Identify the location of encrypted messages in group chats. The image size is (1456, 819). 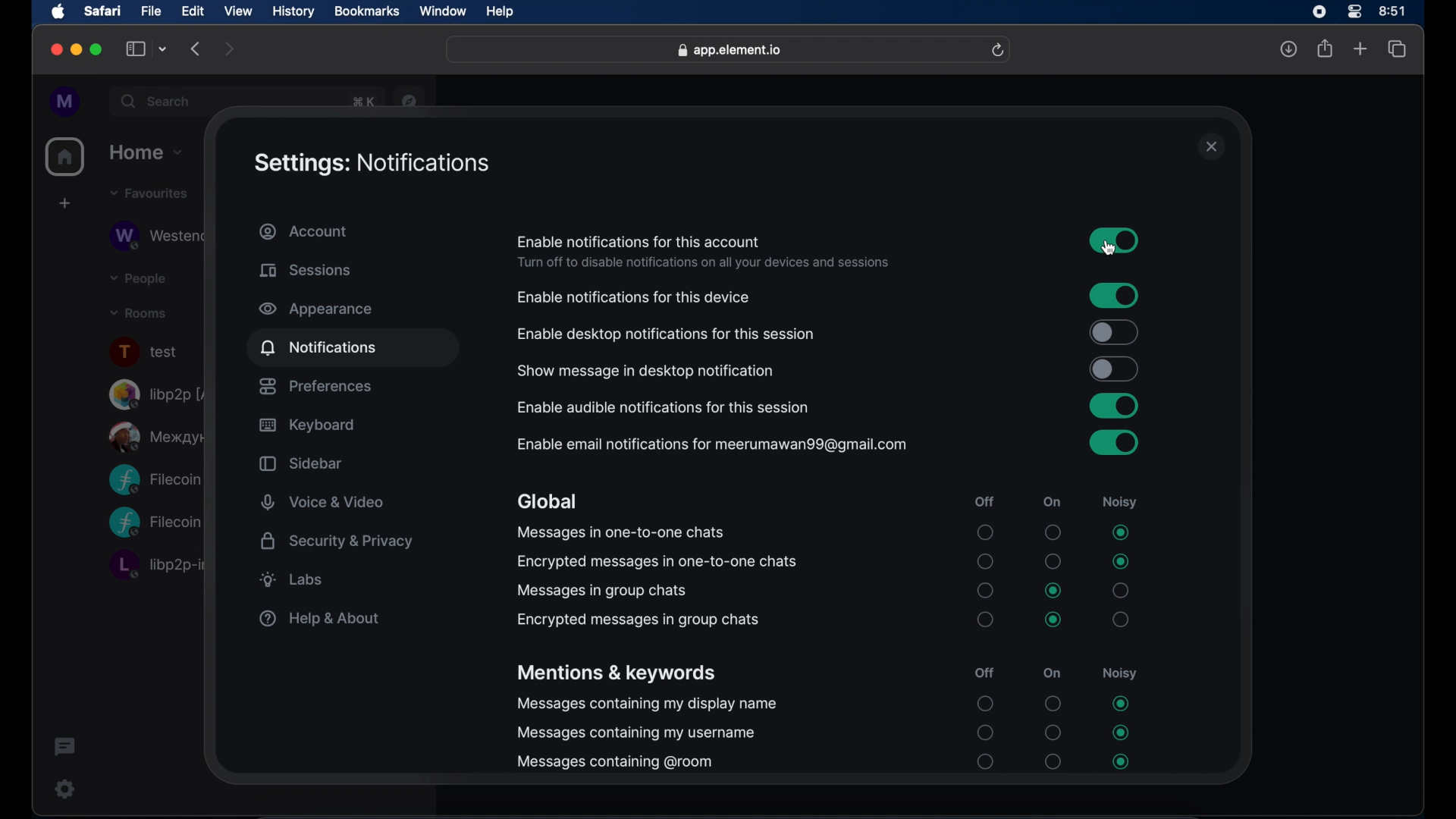
(637, 620).